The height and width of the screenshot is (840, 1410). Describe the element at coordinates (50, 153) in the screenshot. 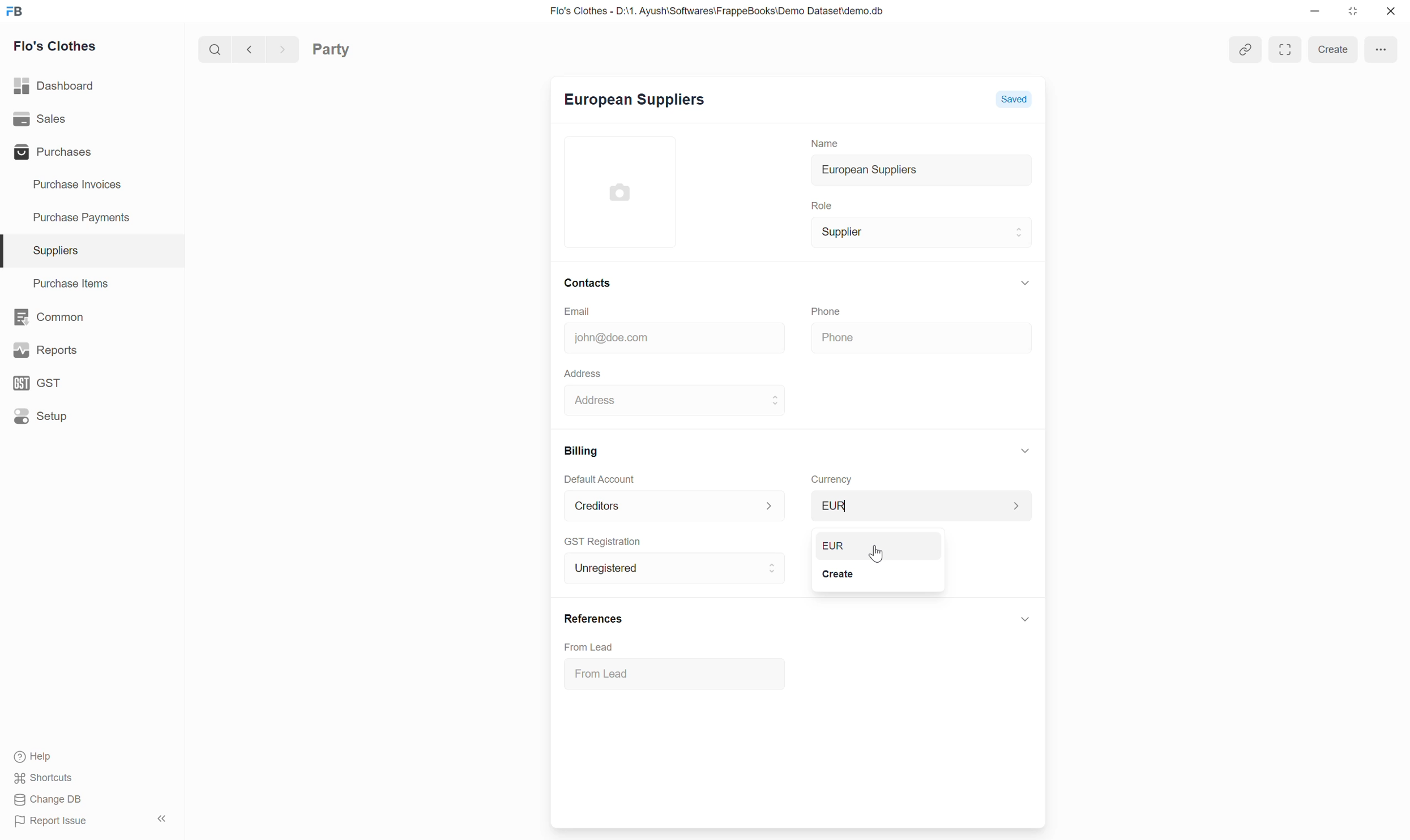

I see `purchases` at that location.